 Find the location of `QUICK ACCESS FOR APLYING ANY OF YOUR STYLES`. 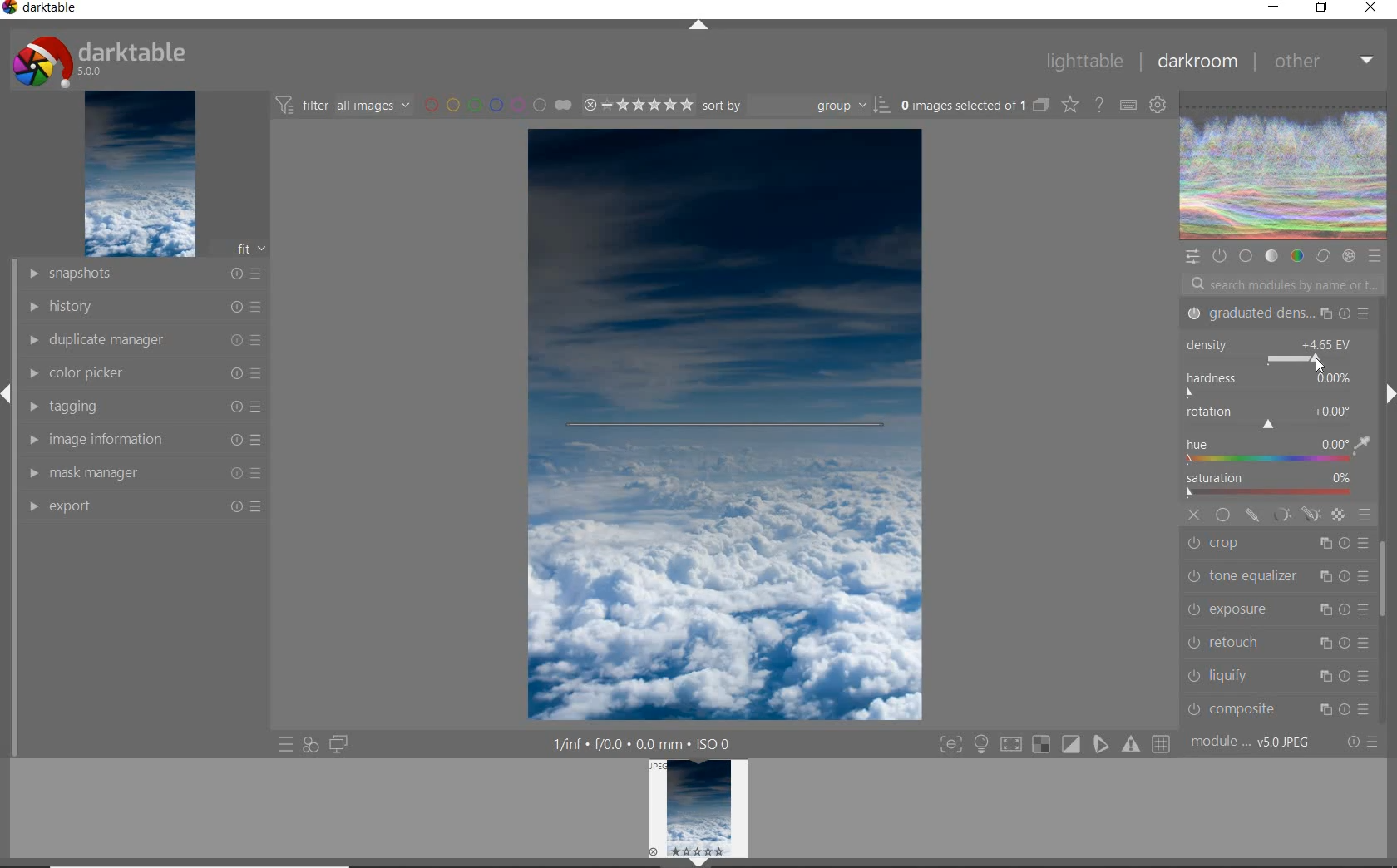

QUICK ACCESS FOR APLYING ANY OF YOUR STYLES is located at coordinates (310, 745).